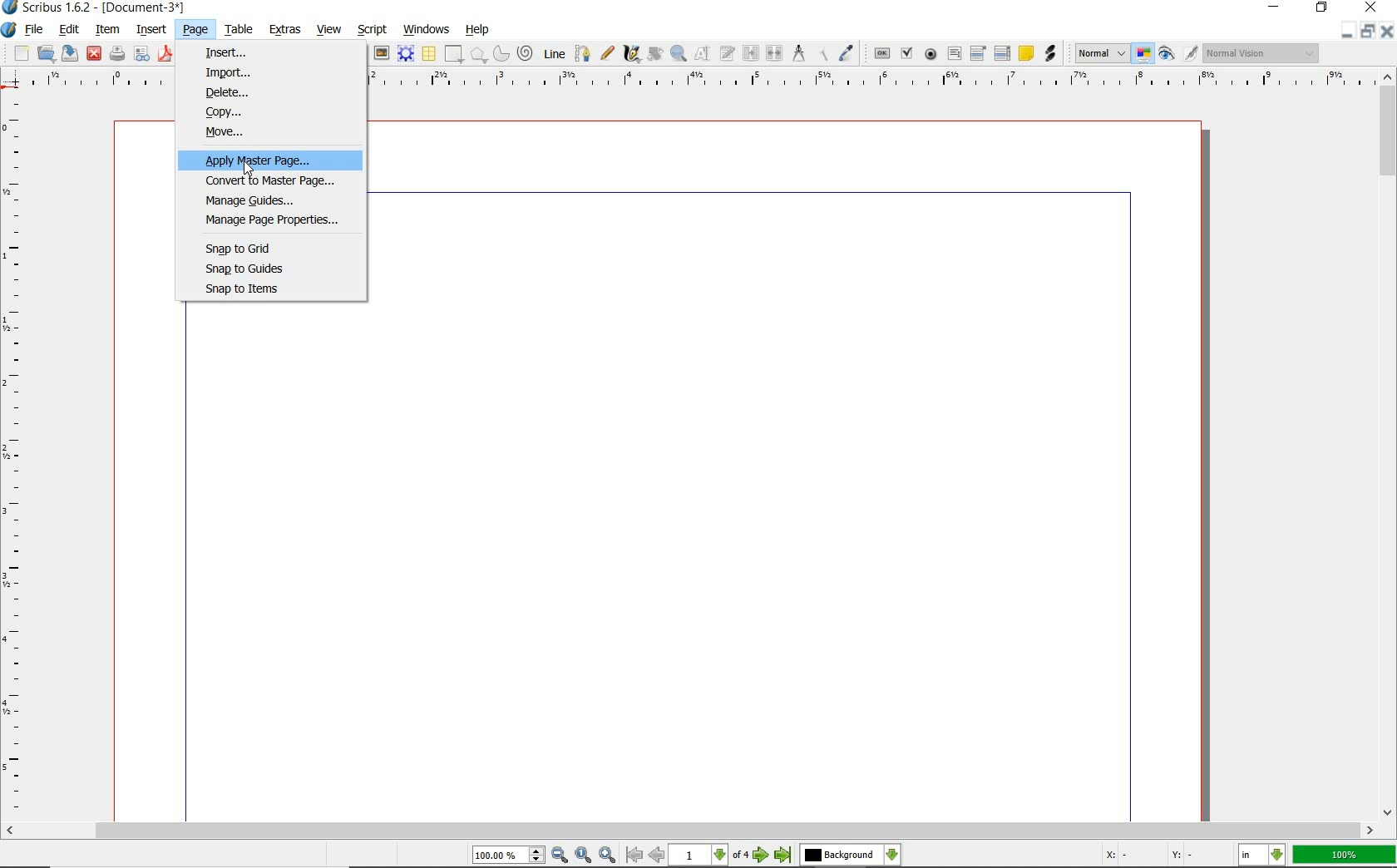 This screenshot has width=1397, height=868. I want to click on calligraphic line, so click(632, 55).